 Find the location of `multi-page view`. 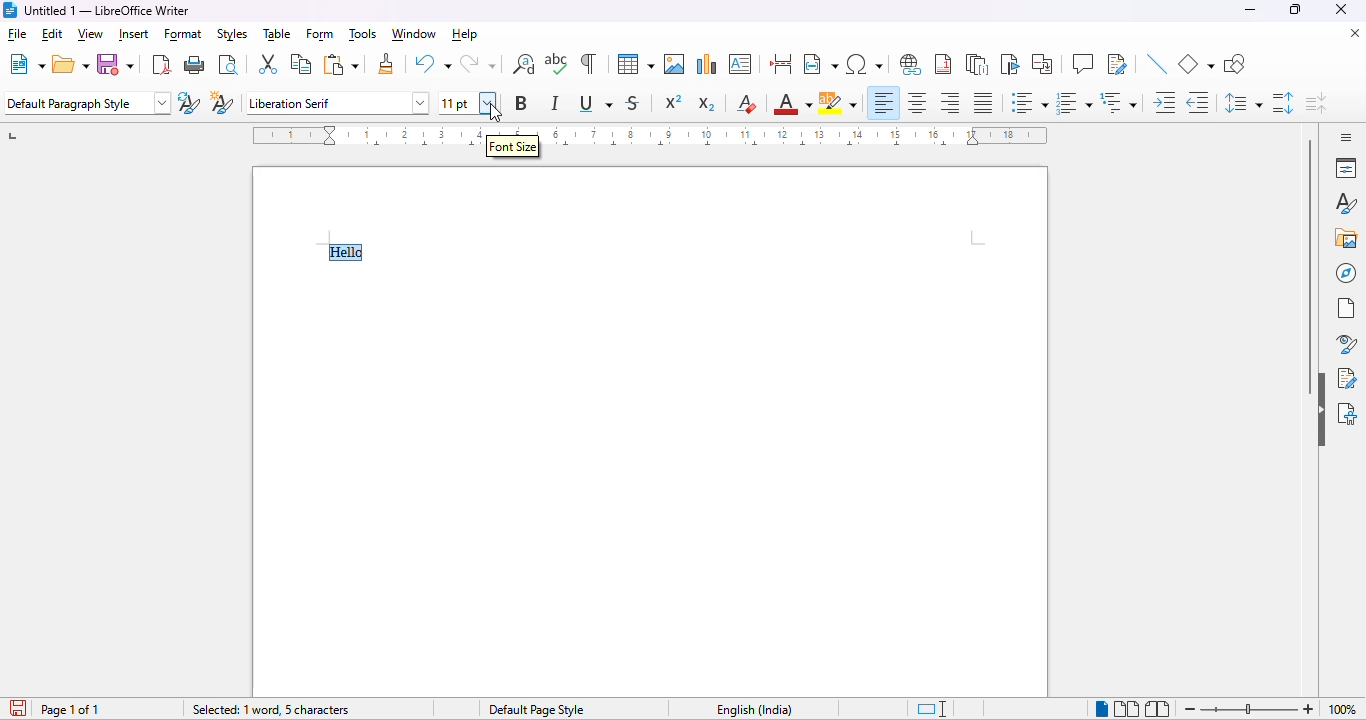

multi-page view is located at coordinates (1126, 709).